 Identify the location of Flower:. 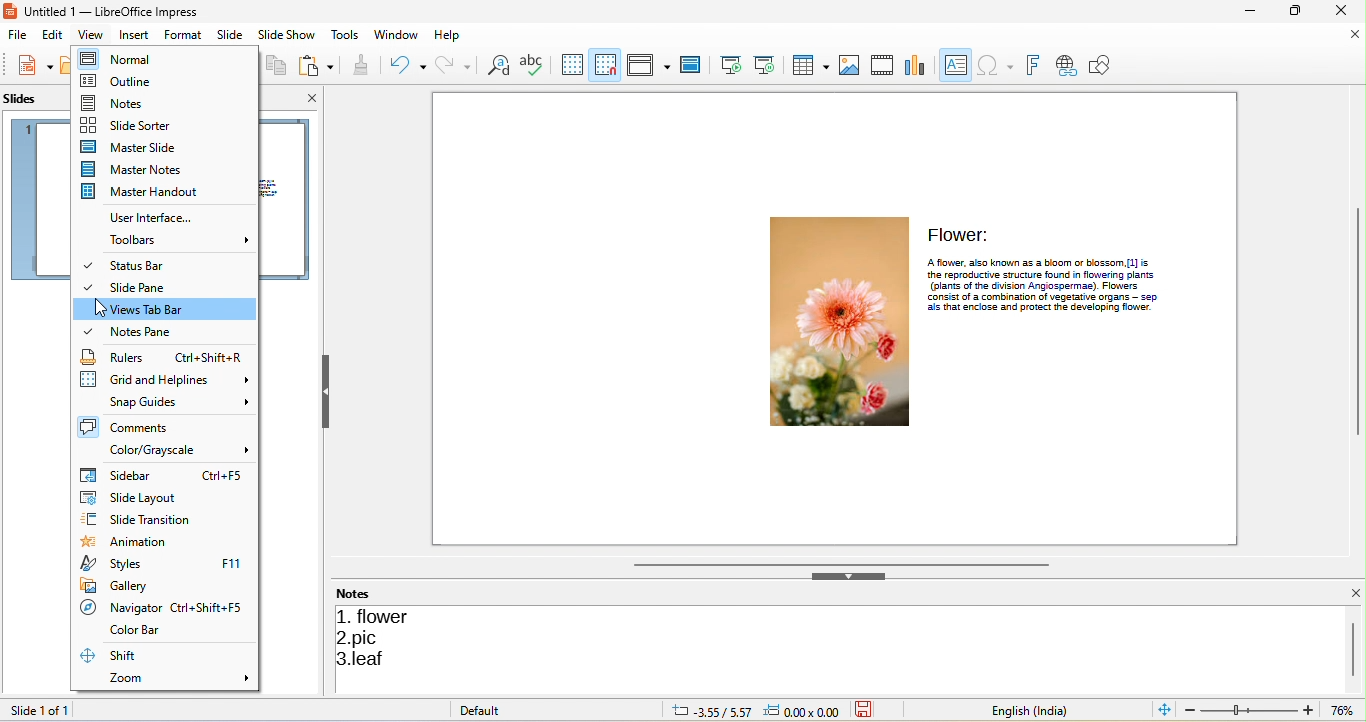
(963, 233).